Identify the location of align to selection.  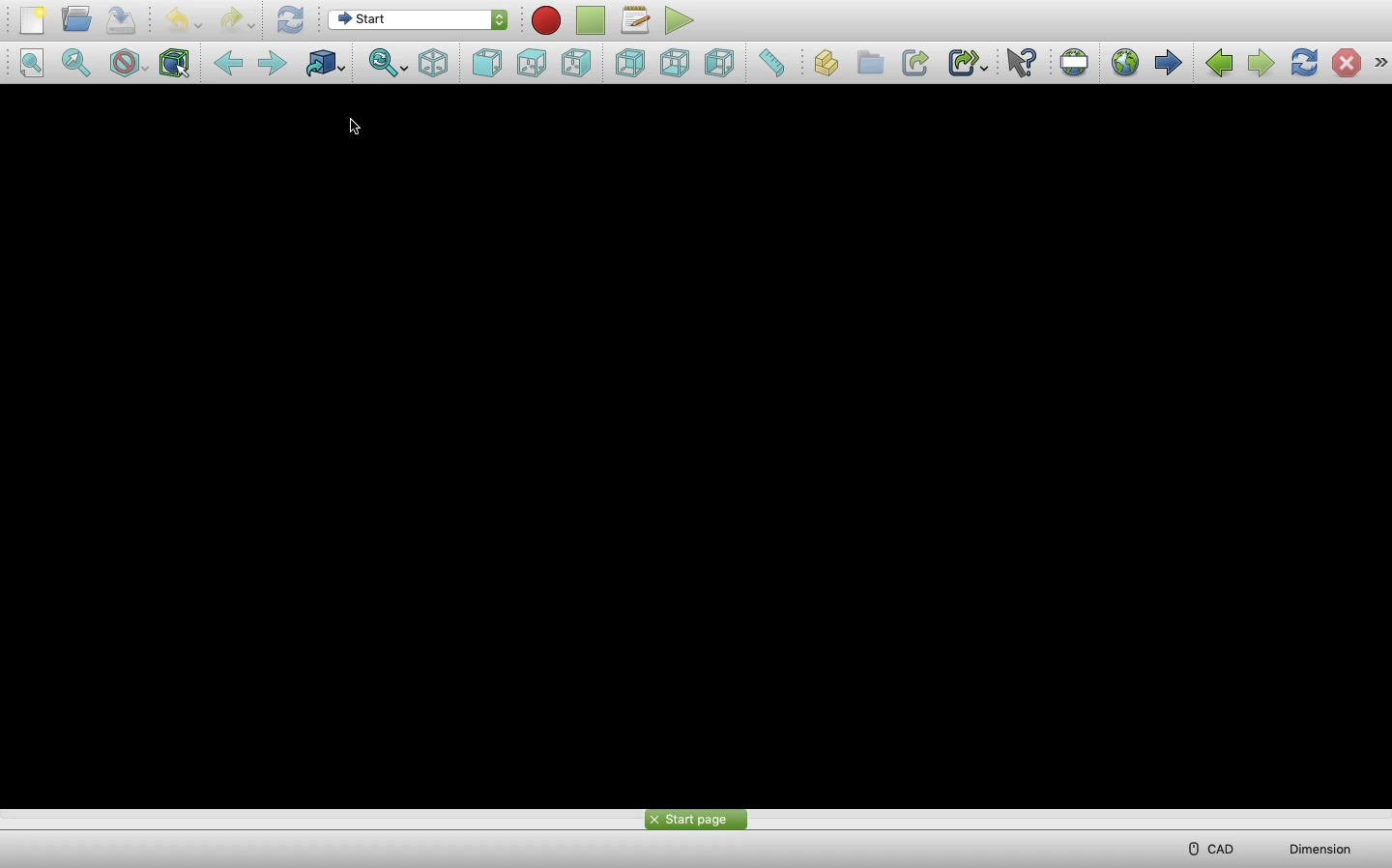
(32, 63).